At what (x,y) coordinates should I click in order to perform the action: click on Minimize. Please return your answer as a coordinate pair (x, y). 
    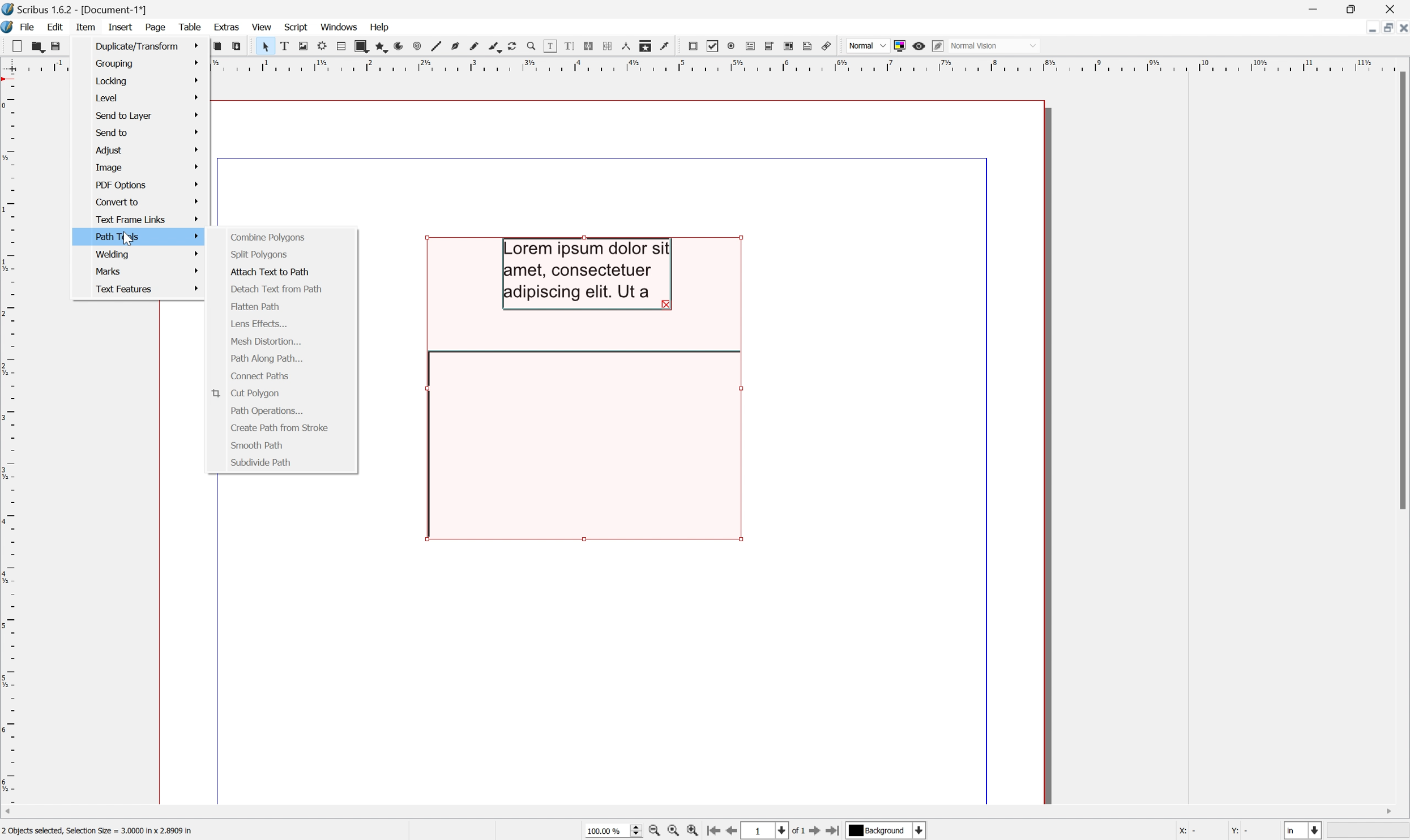
    Looking at the image, I should click on (1310, 8).